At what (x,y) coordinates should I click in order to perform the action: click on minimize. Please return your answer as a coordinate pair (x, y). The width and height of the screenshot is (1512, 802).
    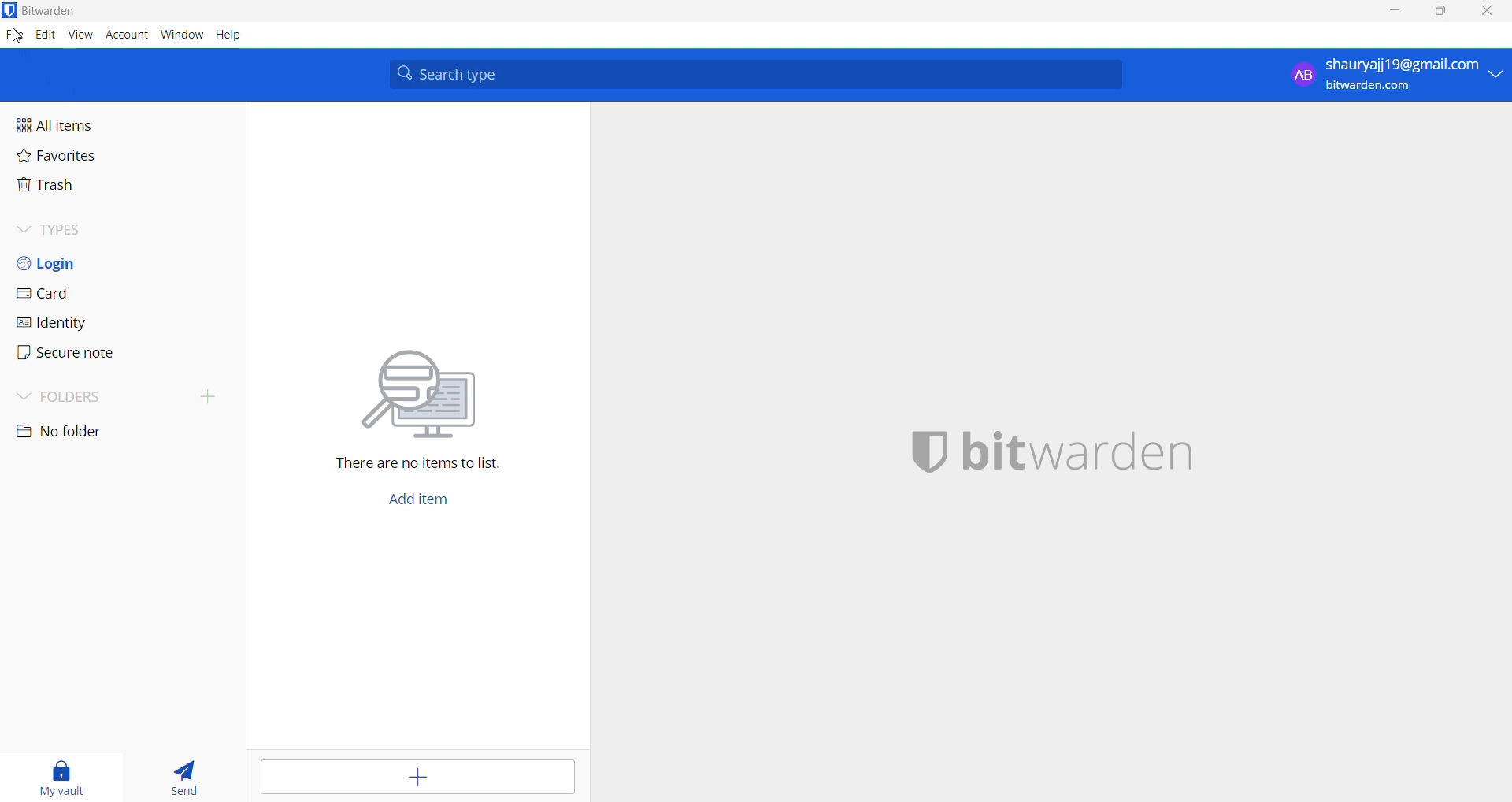
    Looking at the image, I should click on (1391, 13).